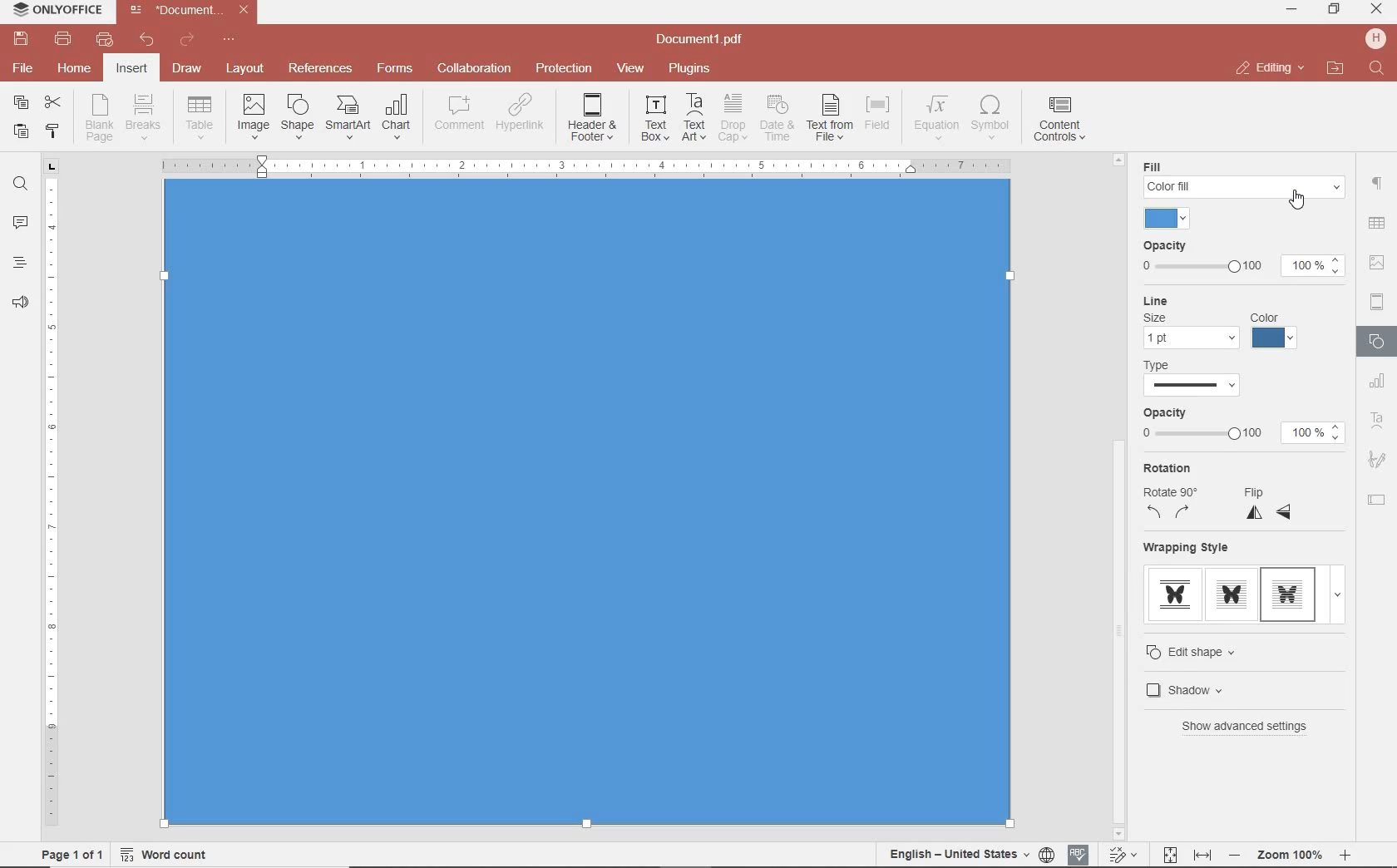 The width and height of the screenshot is (1397, 868). I want to click on ROTATION, so click(1171, 494).